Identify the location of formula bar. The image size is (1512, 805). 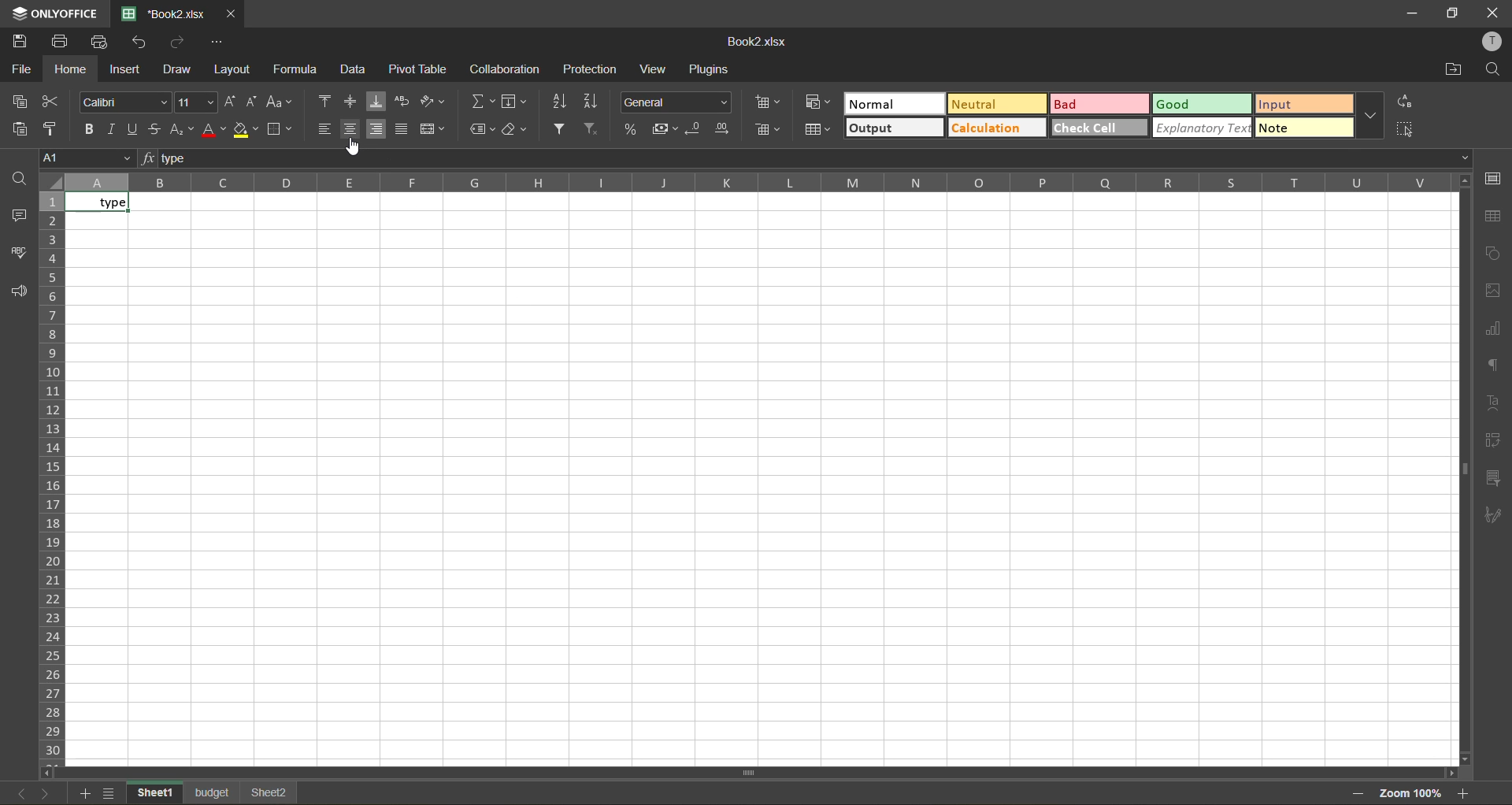
(811, 157).